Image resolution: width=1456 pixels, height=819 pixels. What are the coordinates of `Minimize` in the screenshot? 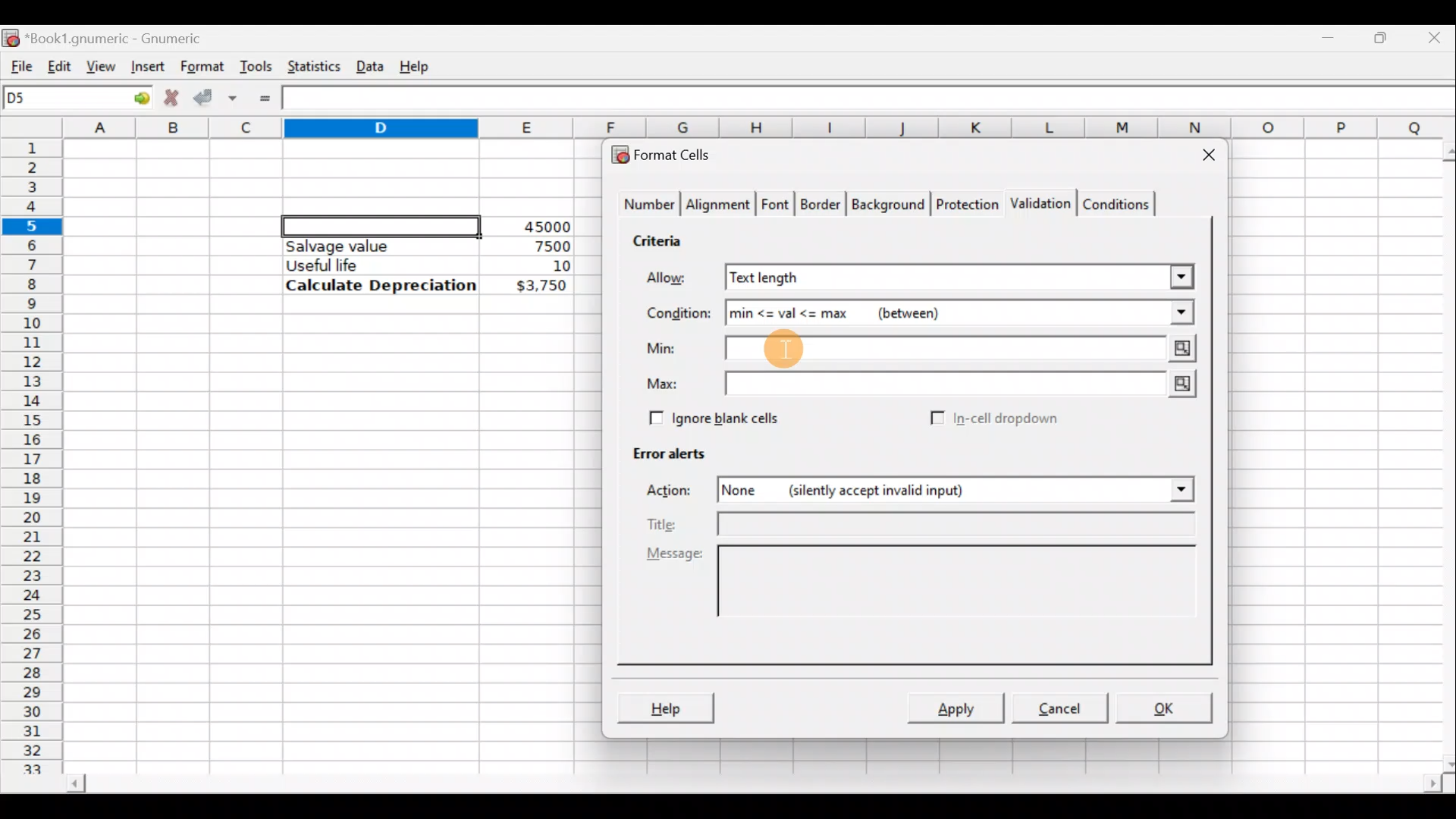 It's located at (1332, 34).